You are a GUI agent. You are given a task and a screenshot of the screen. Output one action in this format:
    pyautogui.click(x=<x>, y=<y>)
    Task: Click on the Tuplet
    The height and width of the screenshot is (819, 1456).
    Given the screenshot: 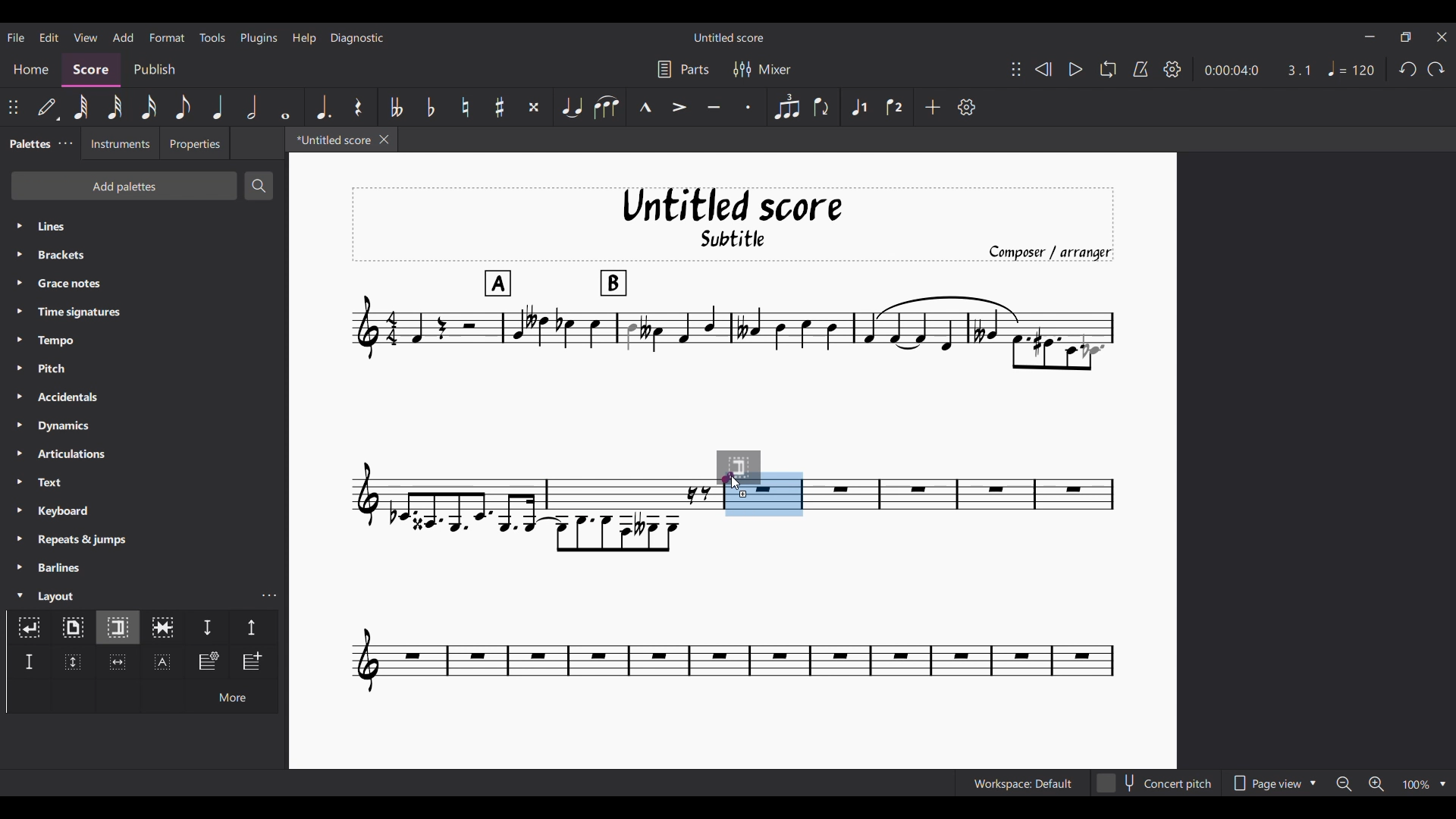 What is the action you would take?
    pyautogui.click(x=788, y=107)
    